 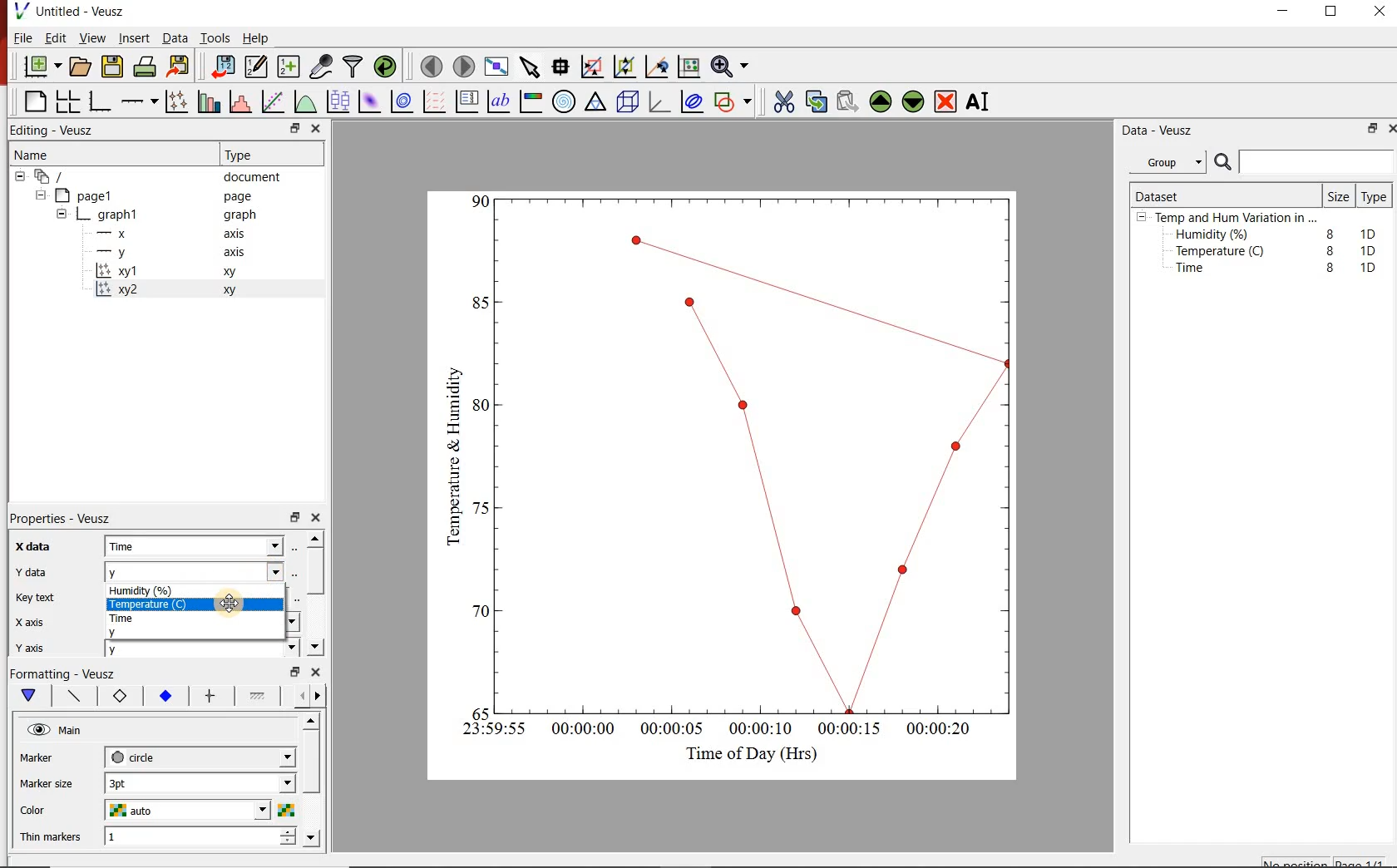 What do you see at coordinates (126, 252) in the screenshot?
I see `y` at bounding box center [126, 252].